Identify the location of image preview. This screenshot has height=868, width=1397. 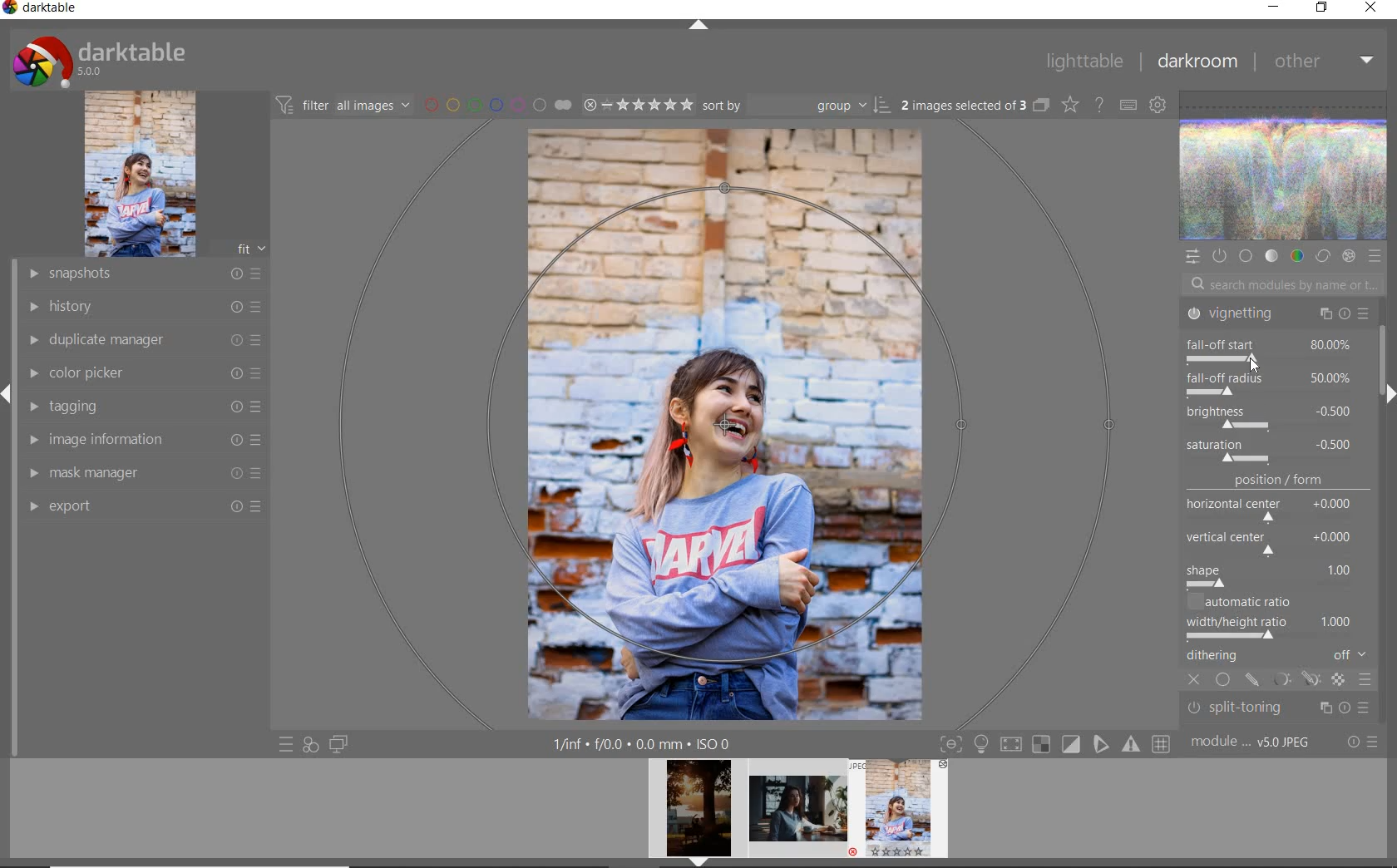
(694, 813).